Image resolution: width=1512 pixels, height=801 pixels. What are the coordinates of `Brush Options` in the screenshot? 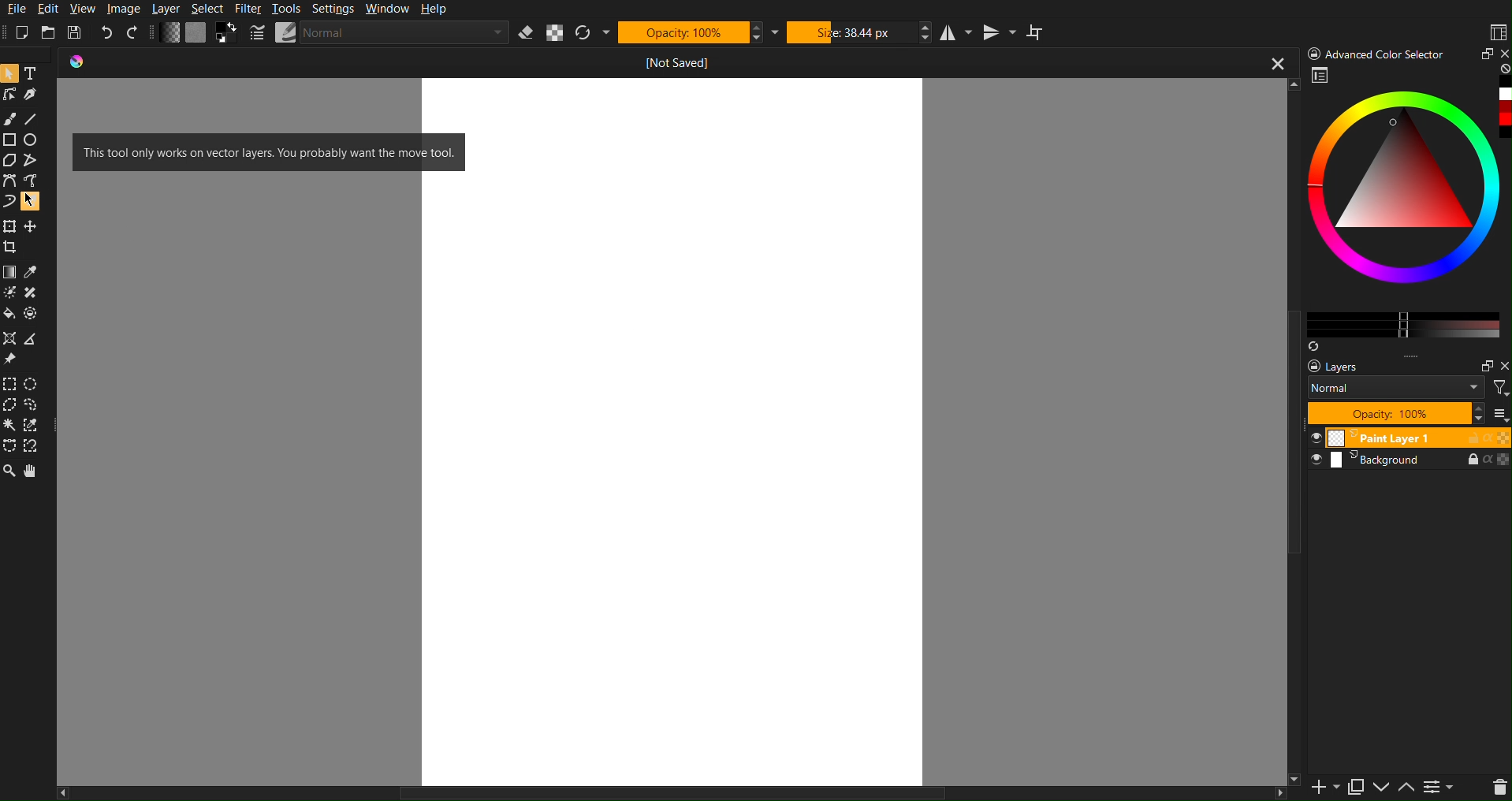 It's located at (406, 33).